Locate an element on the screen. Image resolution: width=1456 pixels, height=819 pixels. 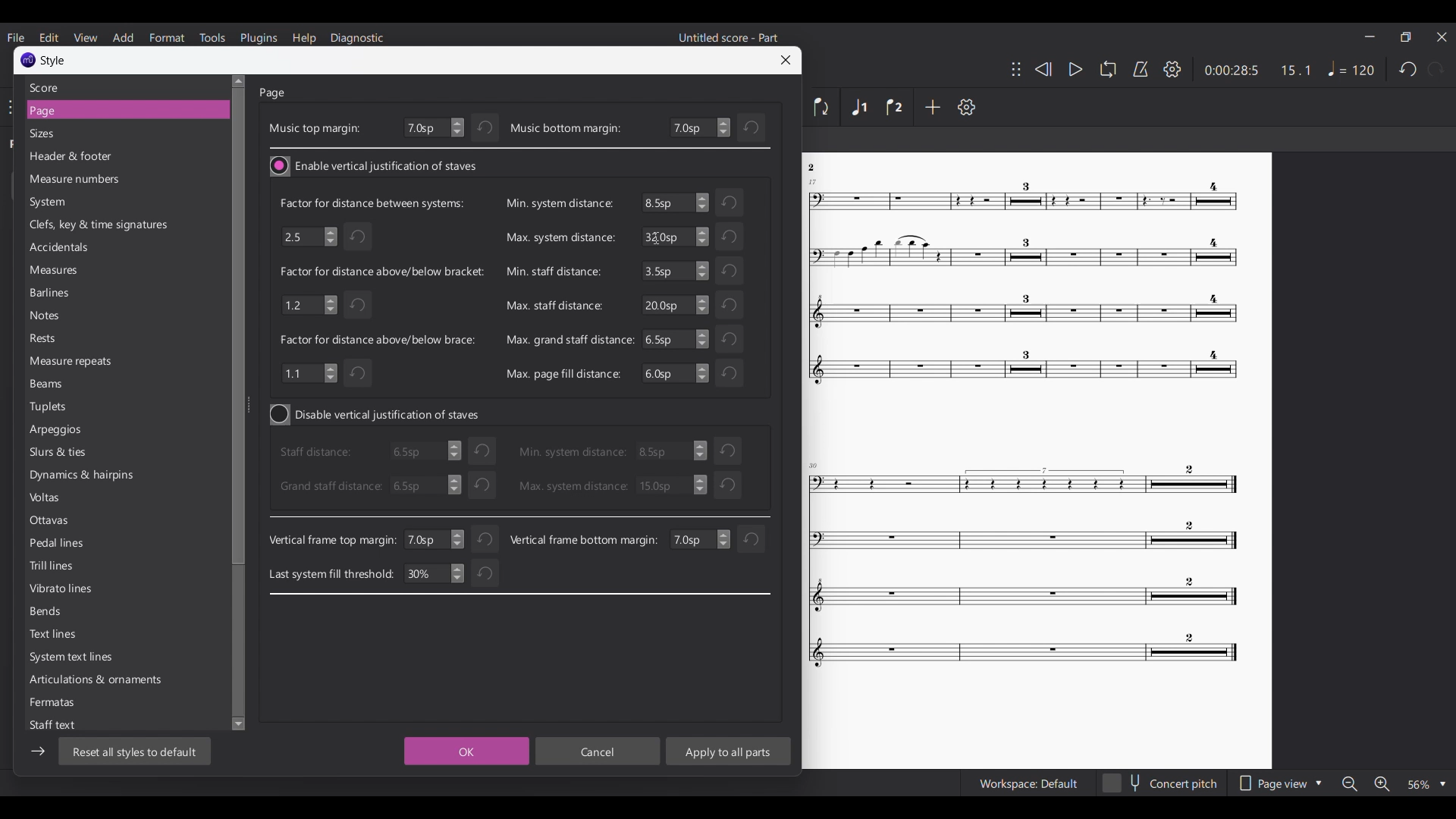
 is located at coordinates (816, 168).